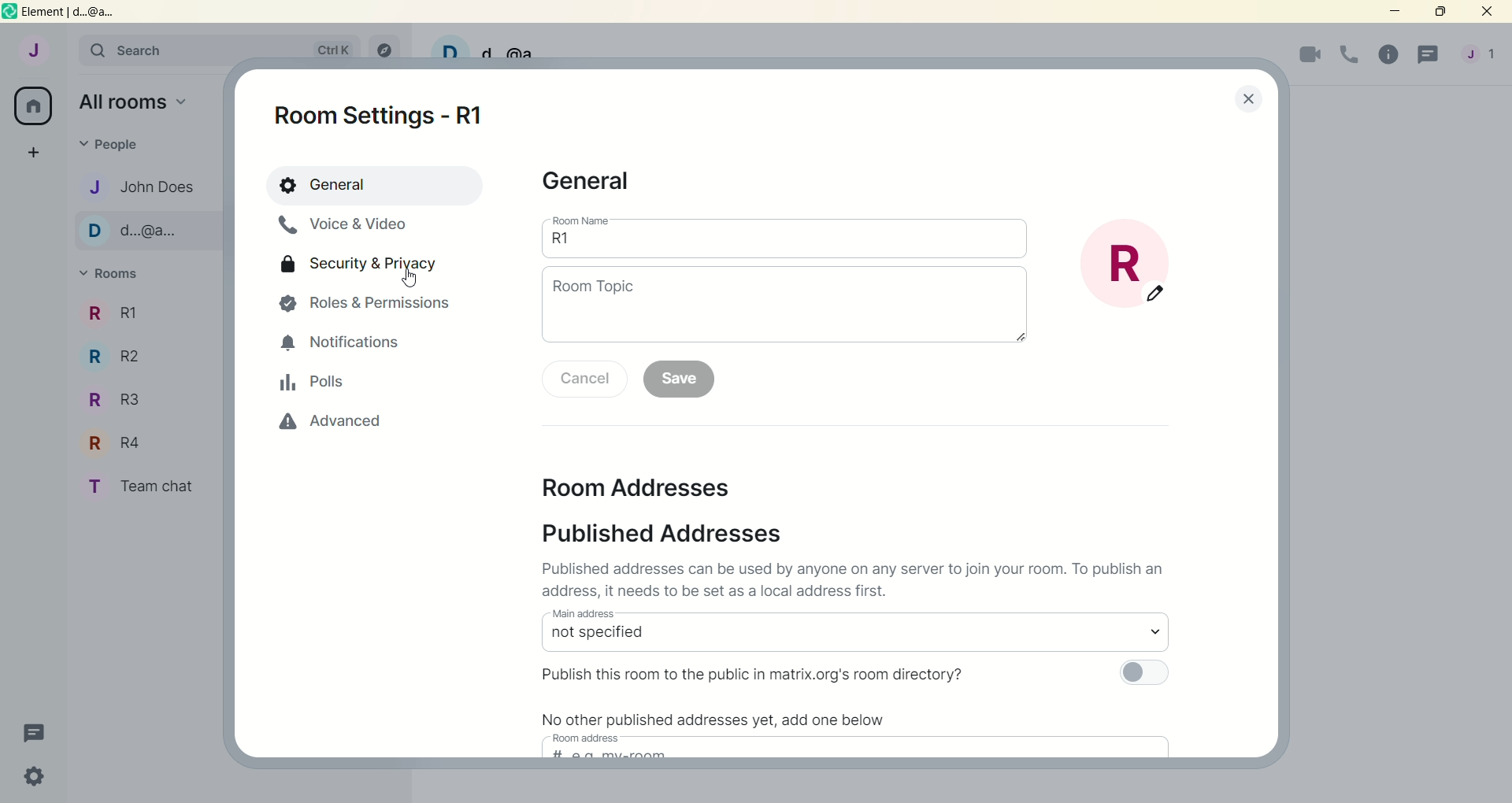  I want to click on Published addresses can be used by anyone on any server to join your room. To publish an
address, it needs to be set as a local address first., so click(858, 581).